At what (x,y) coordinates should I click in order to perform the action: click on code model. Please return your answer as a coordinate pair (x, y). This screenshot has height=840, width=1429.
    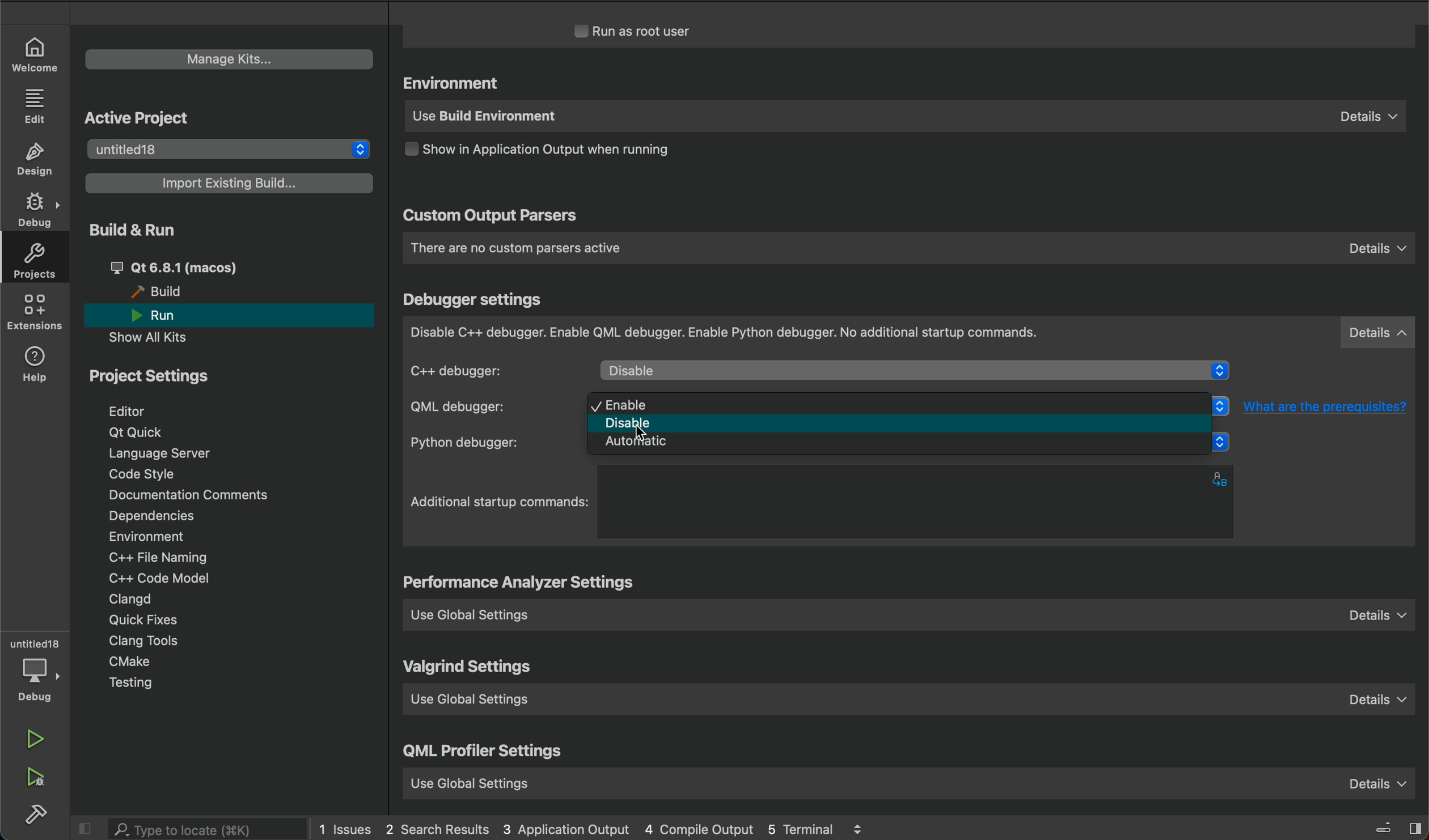
    Looking at the image, I should click on (153, 578).